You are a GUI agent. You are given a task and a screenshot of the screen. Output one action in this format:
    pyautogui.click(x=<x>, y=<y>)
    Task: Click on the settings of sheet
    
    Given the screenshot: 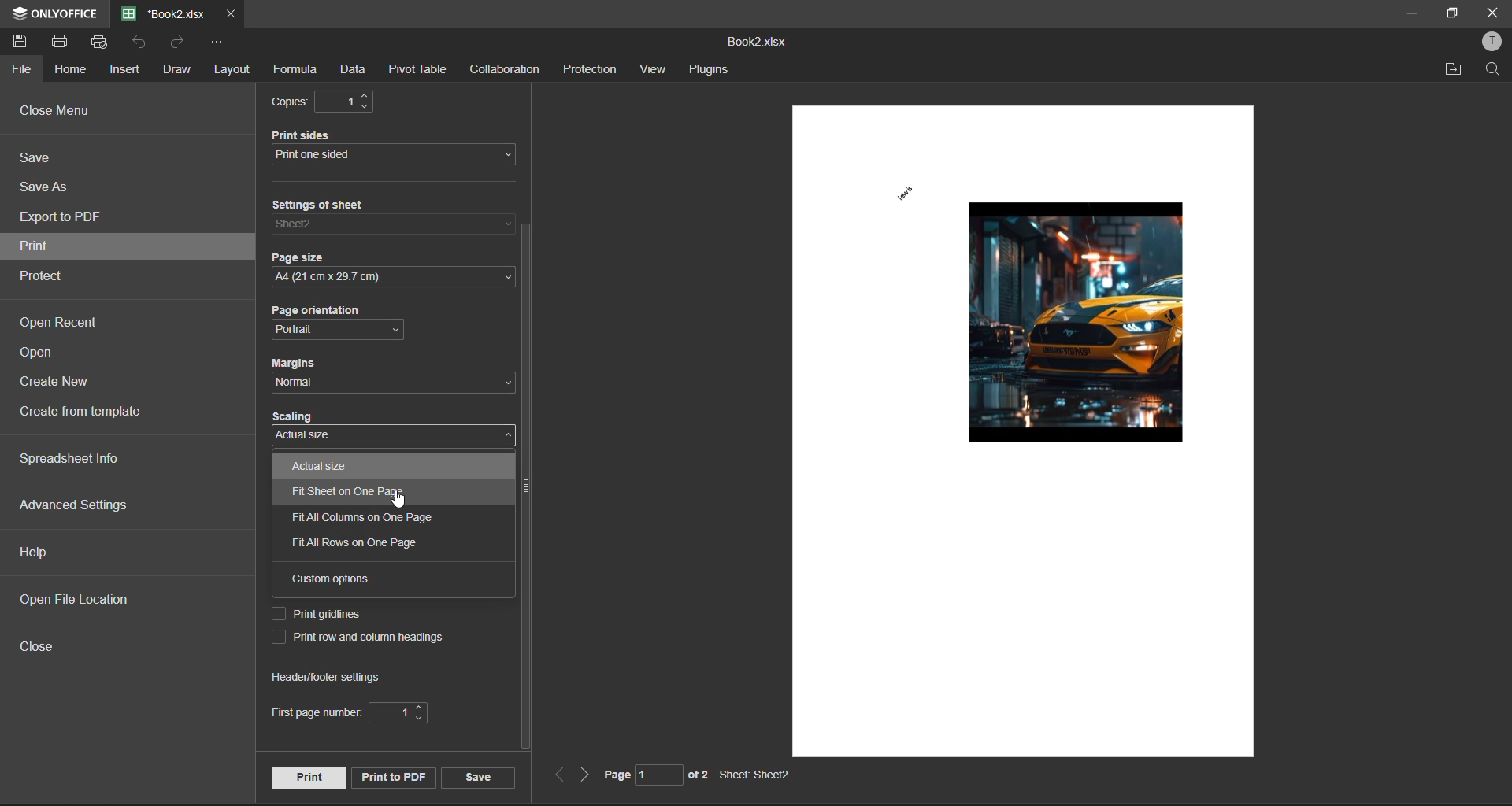 What is the action you would take?
    pyautogui.click(x=333, y=206)
    